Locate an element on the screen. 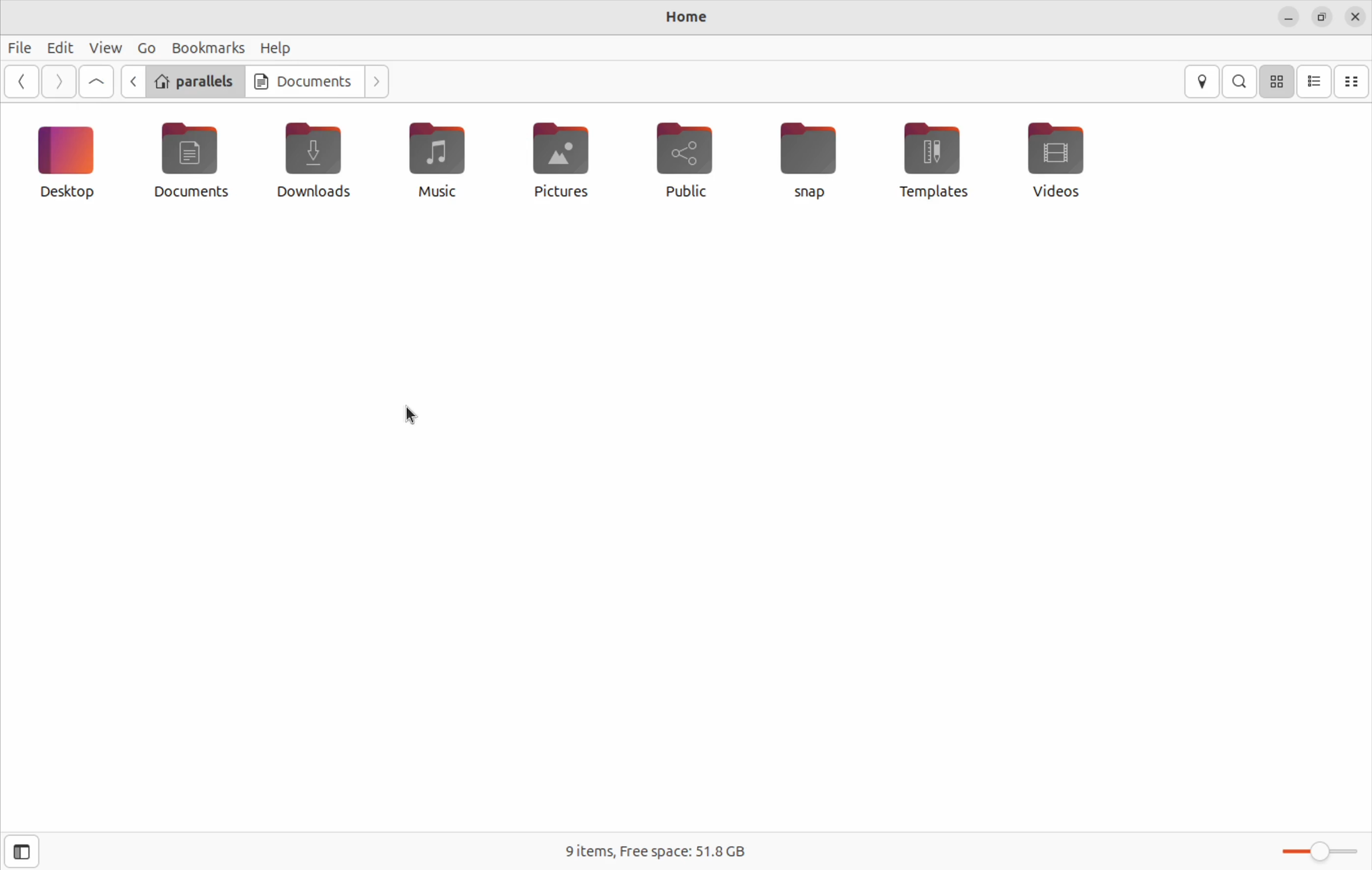  Edit is located at coordinates (59, 48).